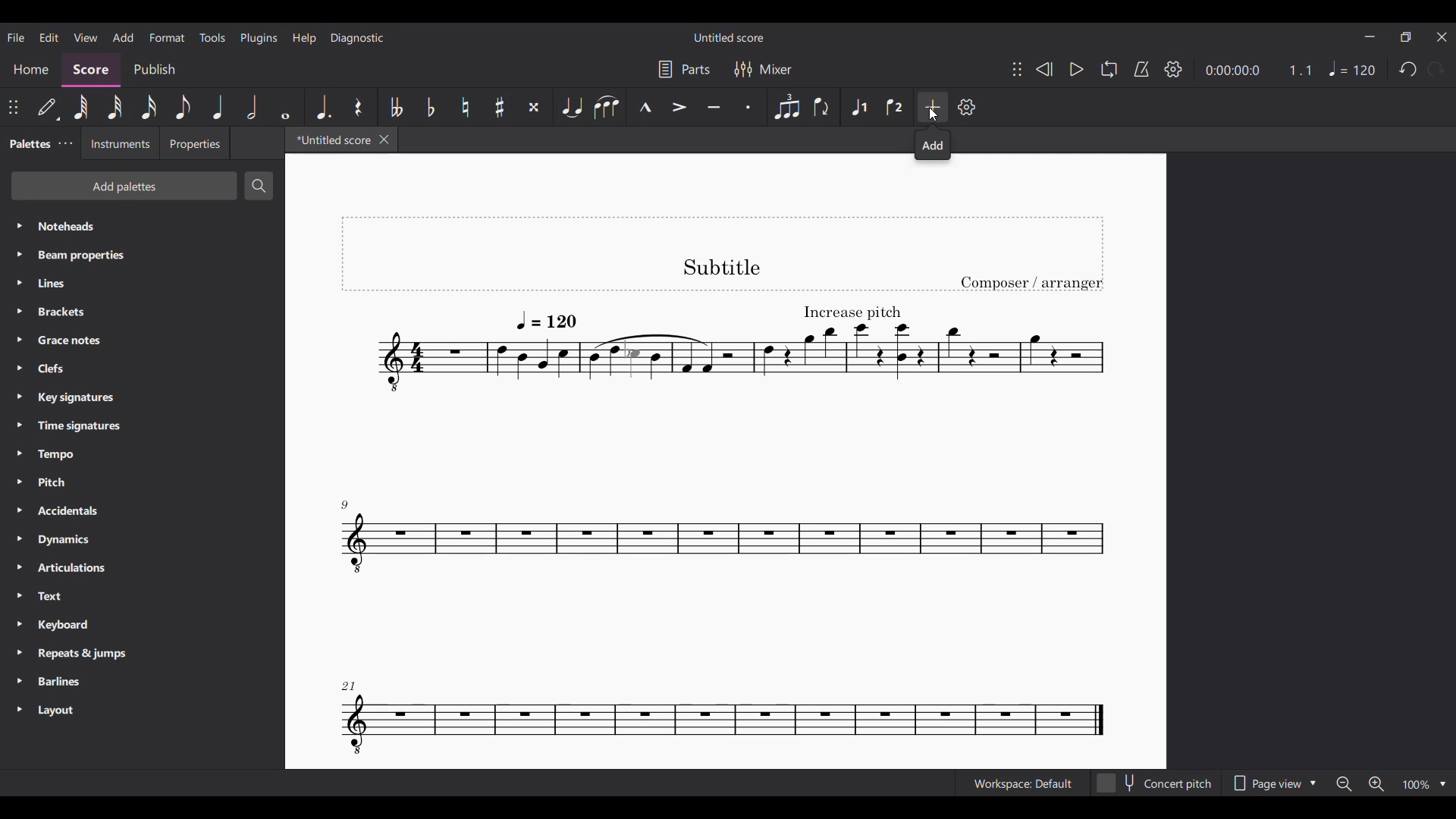 This screenshot has height=819, width=1456. I want to click on File menu, so click(17, 38).